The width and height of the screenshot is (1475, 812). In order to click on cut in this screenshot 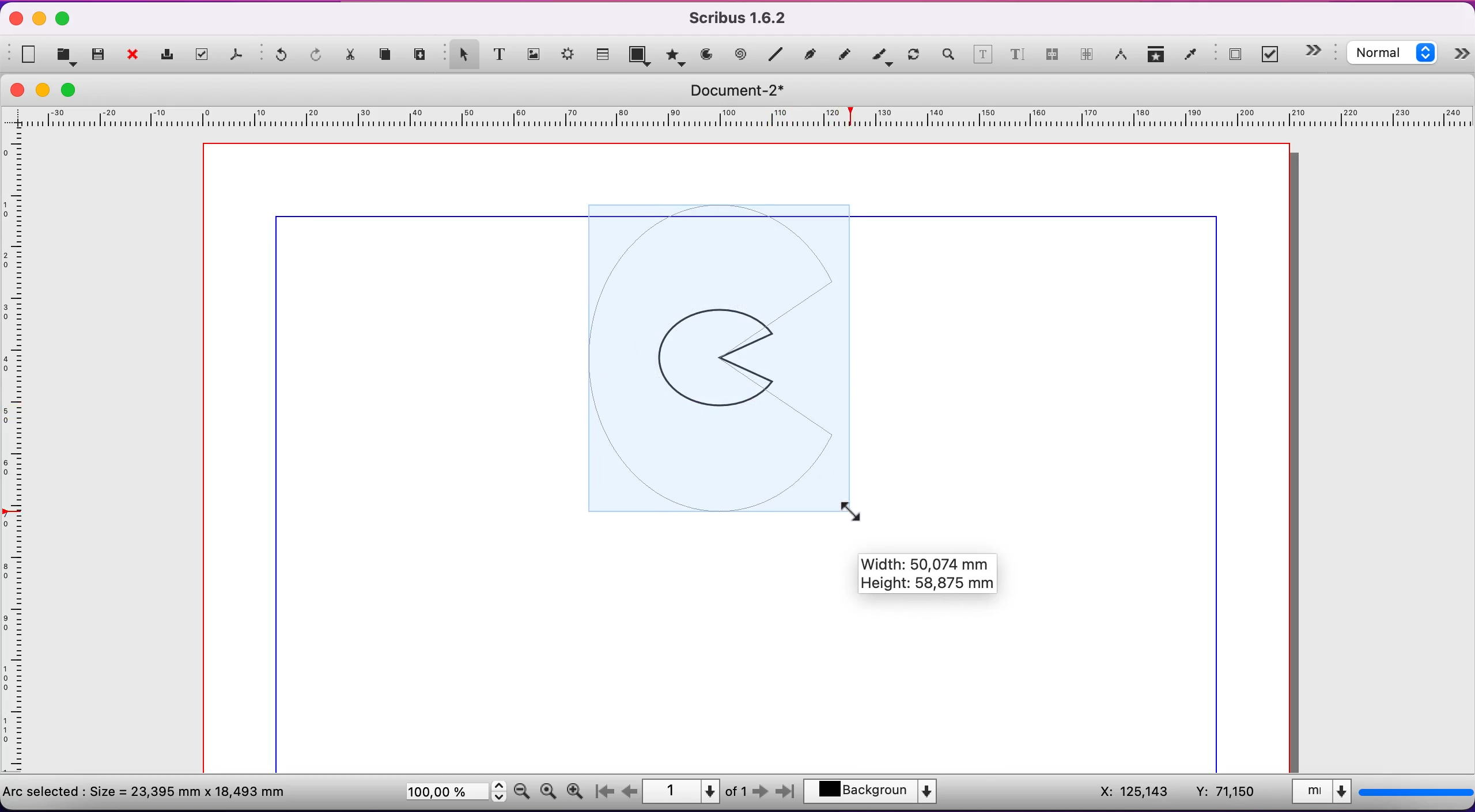, I will do `click(352, 58)`.